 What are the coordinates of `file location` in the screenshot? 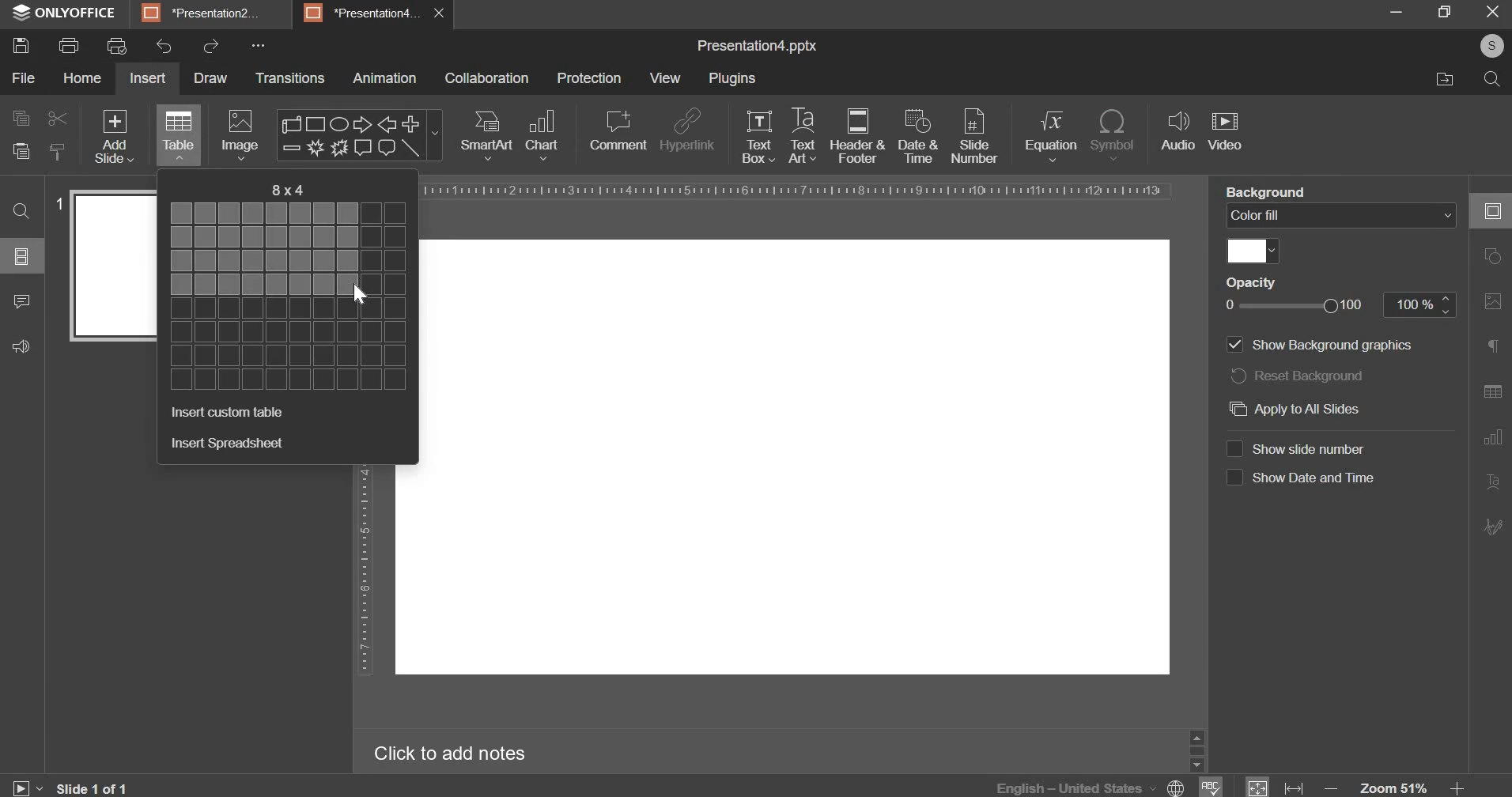 It's located at (1442, 81).